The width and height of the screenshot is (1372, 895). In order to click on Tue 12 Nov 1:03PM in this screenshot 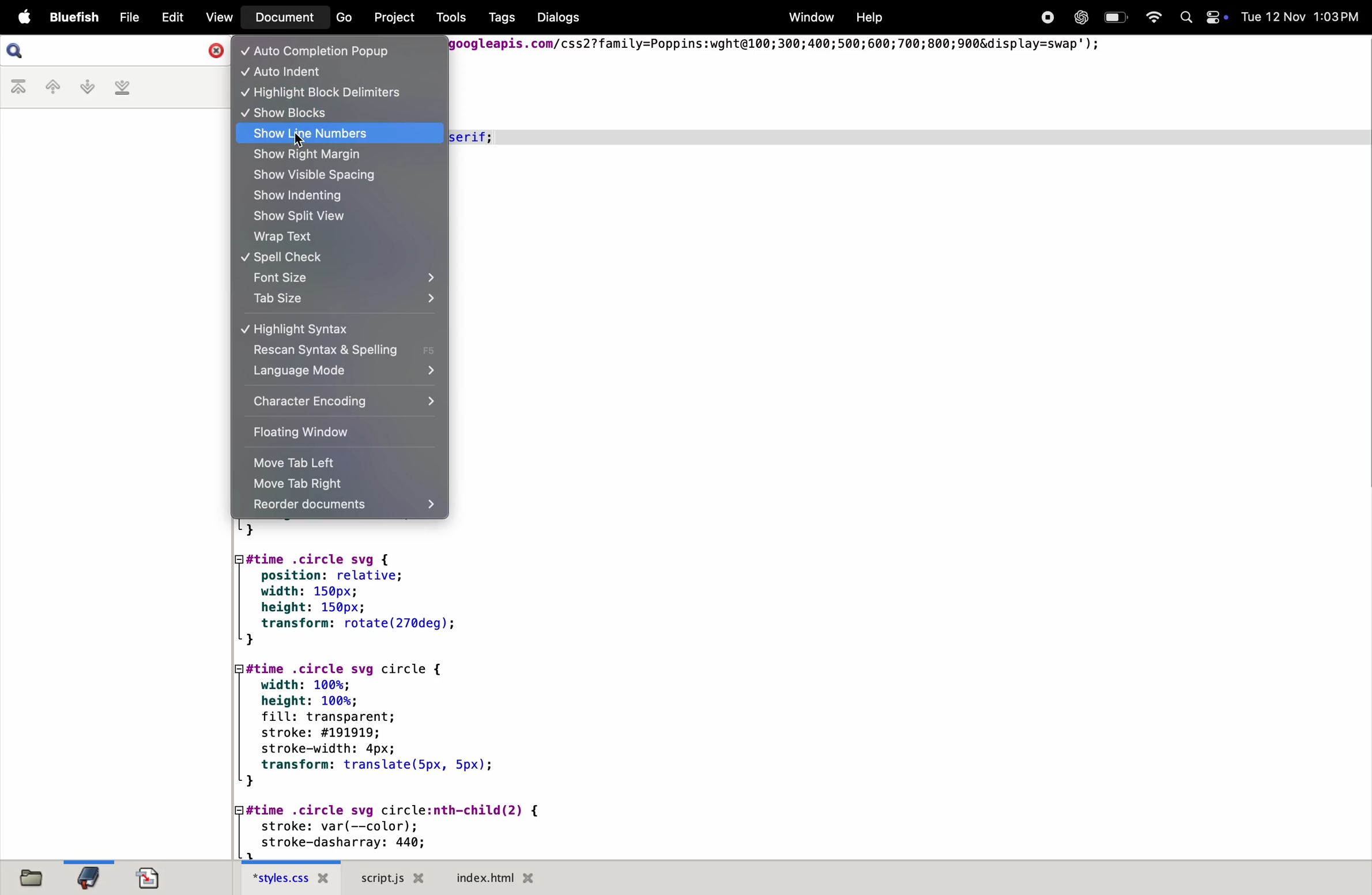, I will do `click(1301, 17)`.